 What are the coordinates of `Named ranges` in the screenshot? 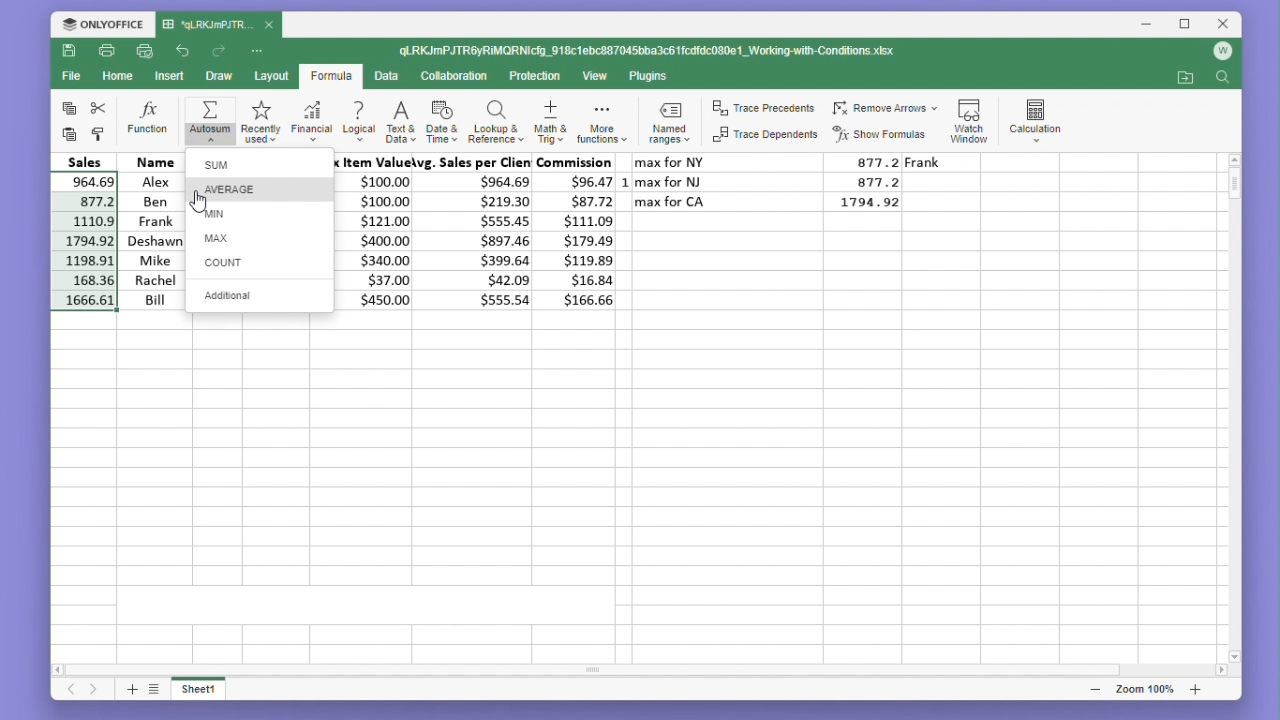 It's located at (673, 121).